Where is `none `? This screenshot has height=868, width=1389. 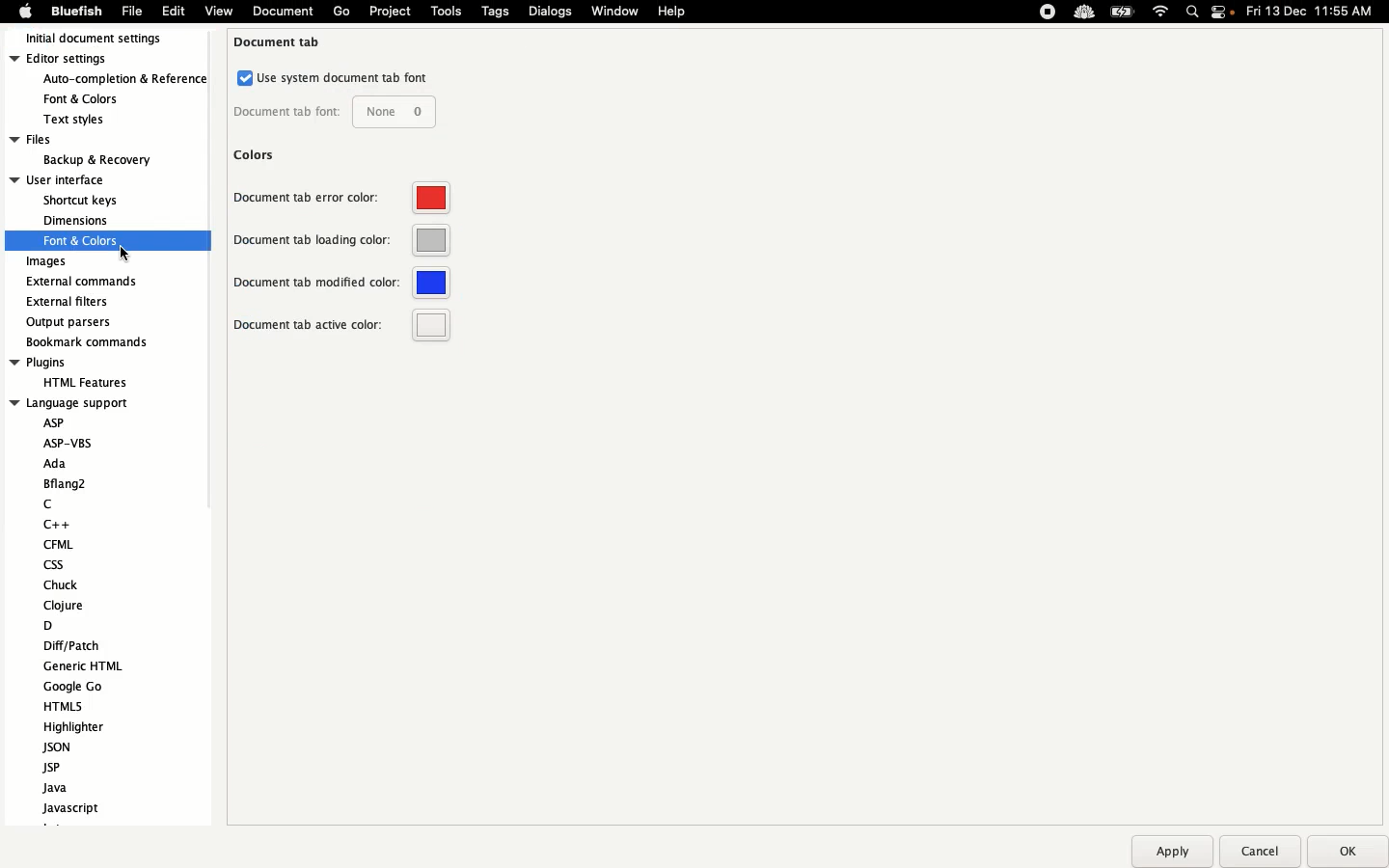 none  is located at coordinates (392, 112).